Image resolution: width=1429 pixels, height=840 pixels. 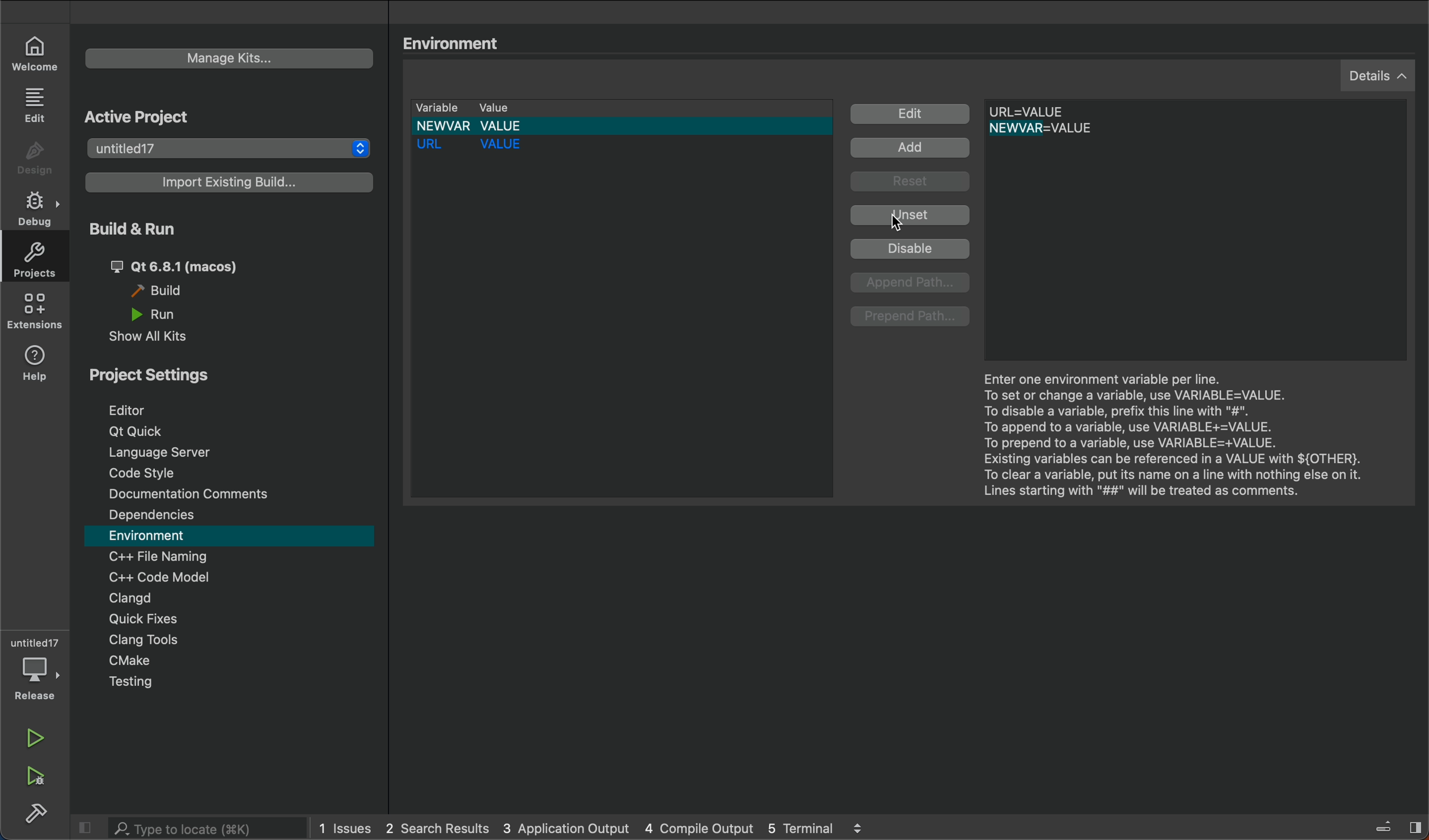 I want to click on edit, so click(x=911, y=114).